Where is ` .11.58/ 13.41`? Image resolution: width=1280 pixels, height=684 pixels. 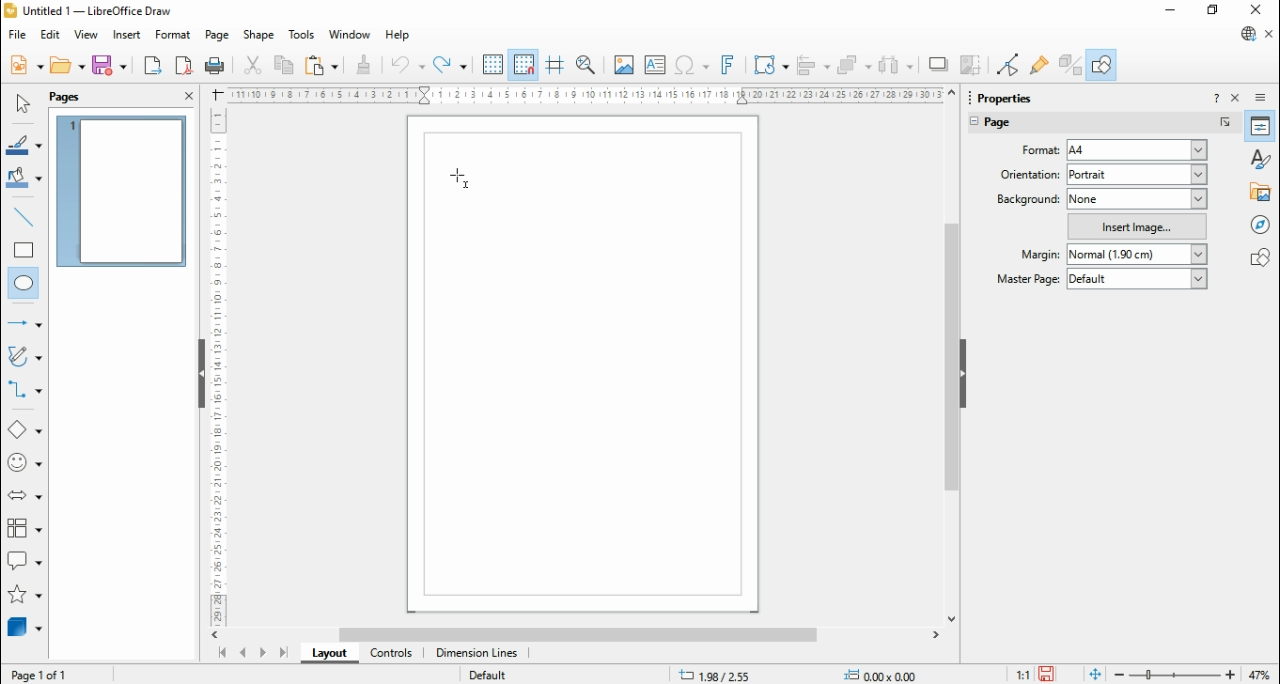
 .11.58/ 13.41 is located at coordinates (719, 674).